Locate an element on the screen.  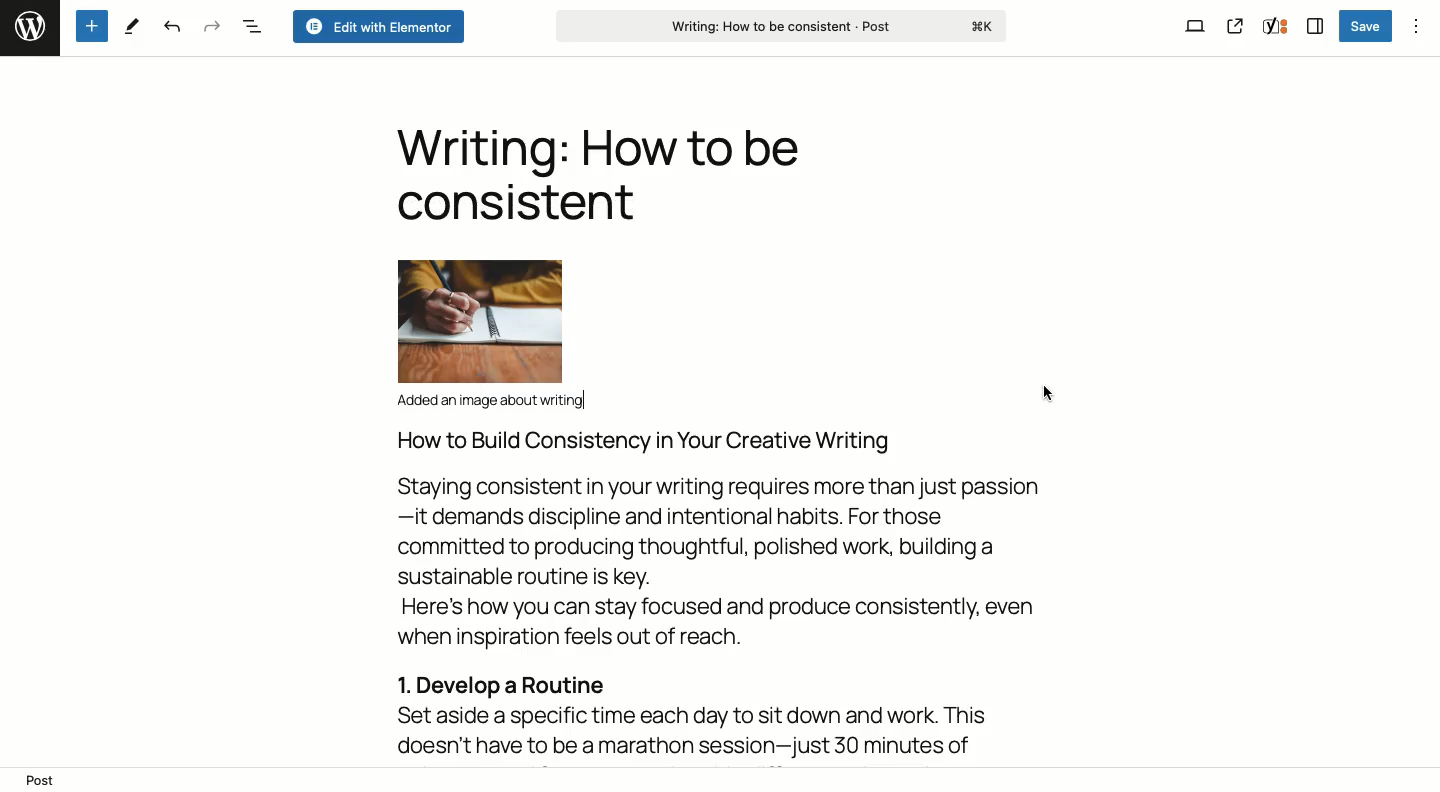
logo is located at coordinates (28, 28).